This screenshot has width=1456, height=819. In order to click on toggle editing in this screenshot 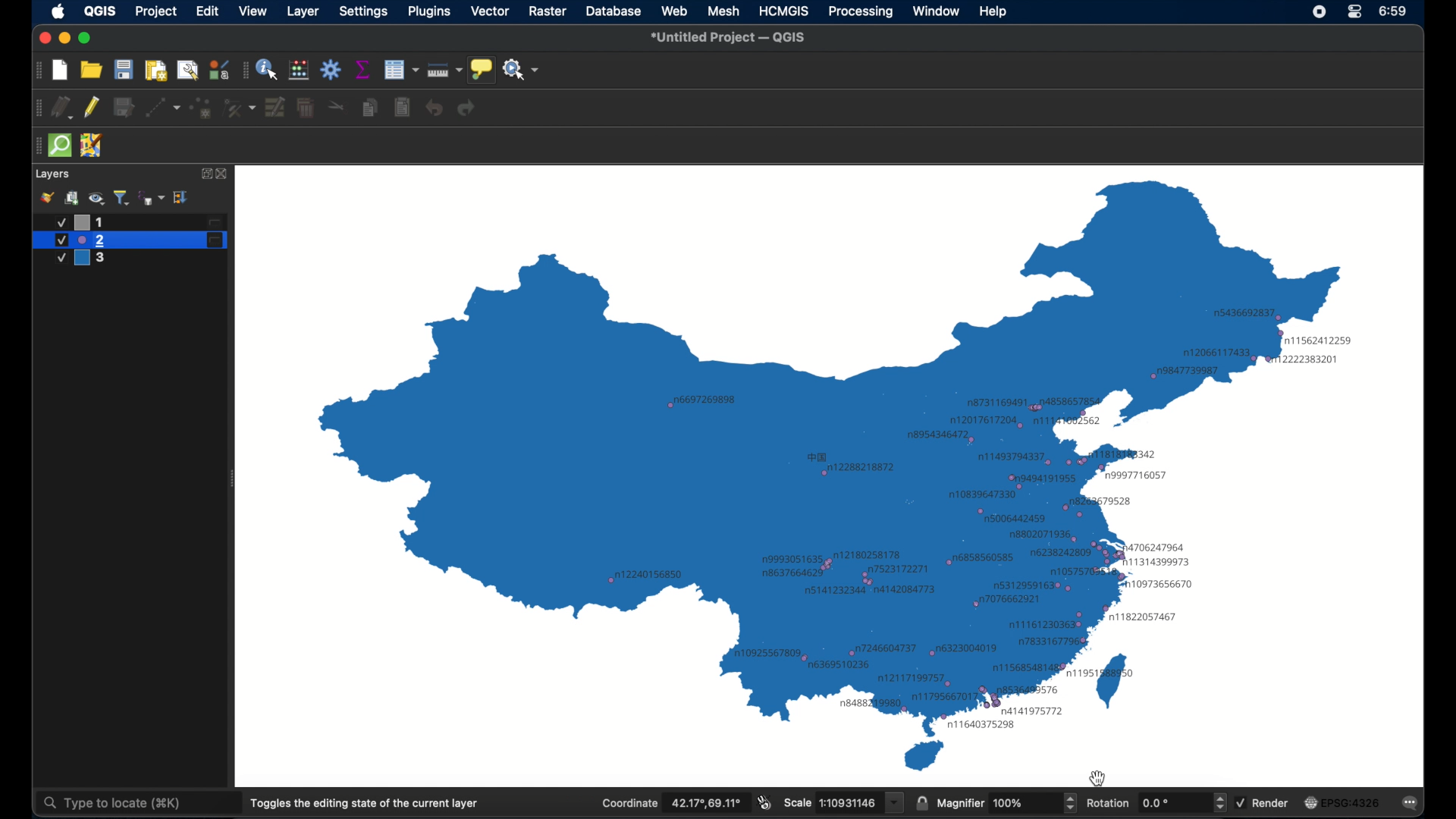, I will do `click(91, 108)`.